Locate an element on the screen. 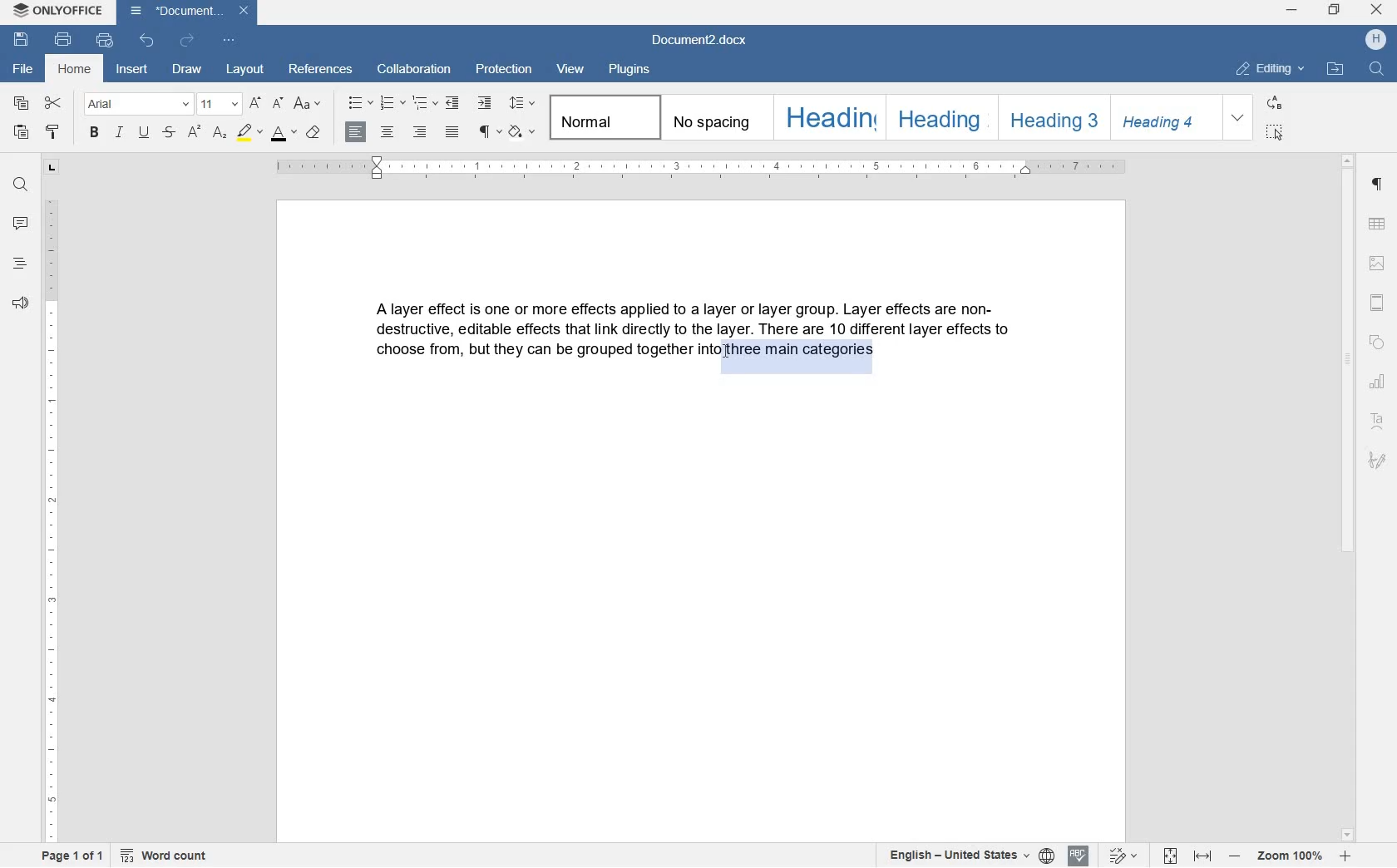 Image resolution: width=1397 pixels, height=868 pixels. multilevel list is located at coordinates (423, 103).